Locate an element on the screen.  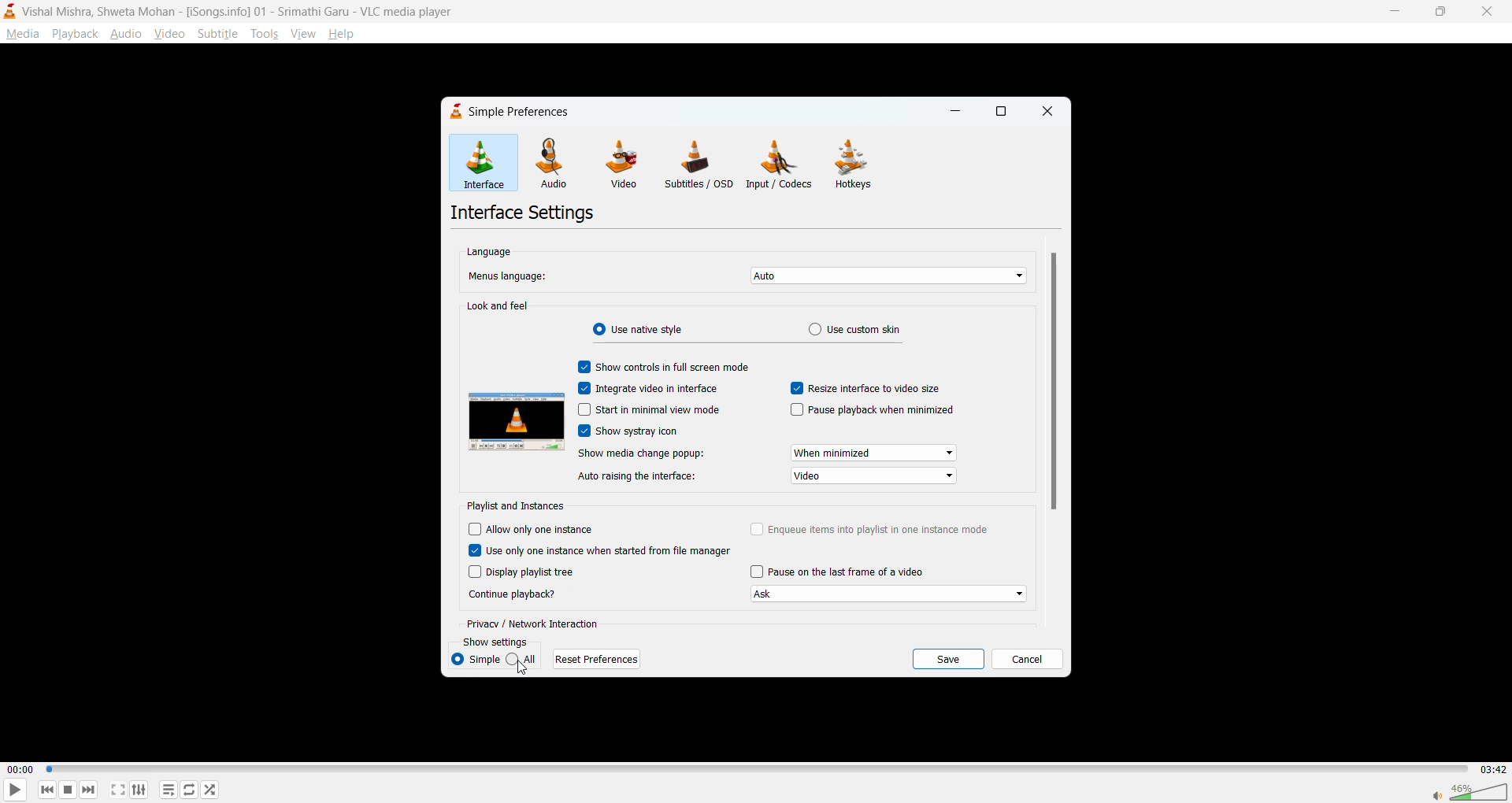
continue playback is located at coordinates (513, 595).